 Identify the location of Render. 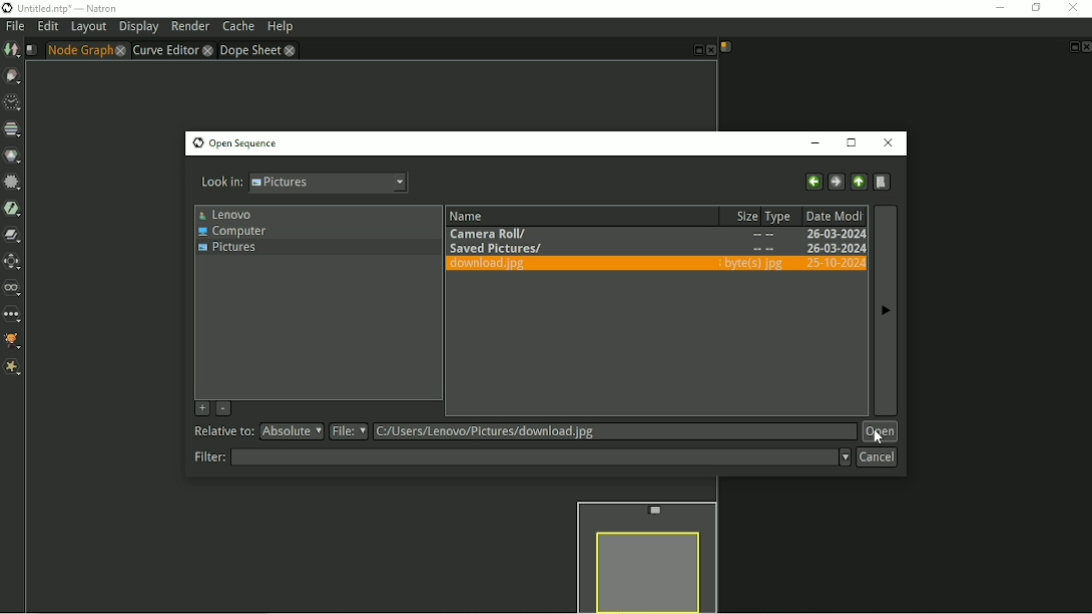
(191, 26).